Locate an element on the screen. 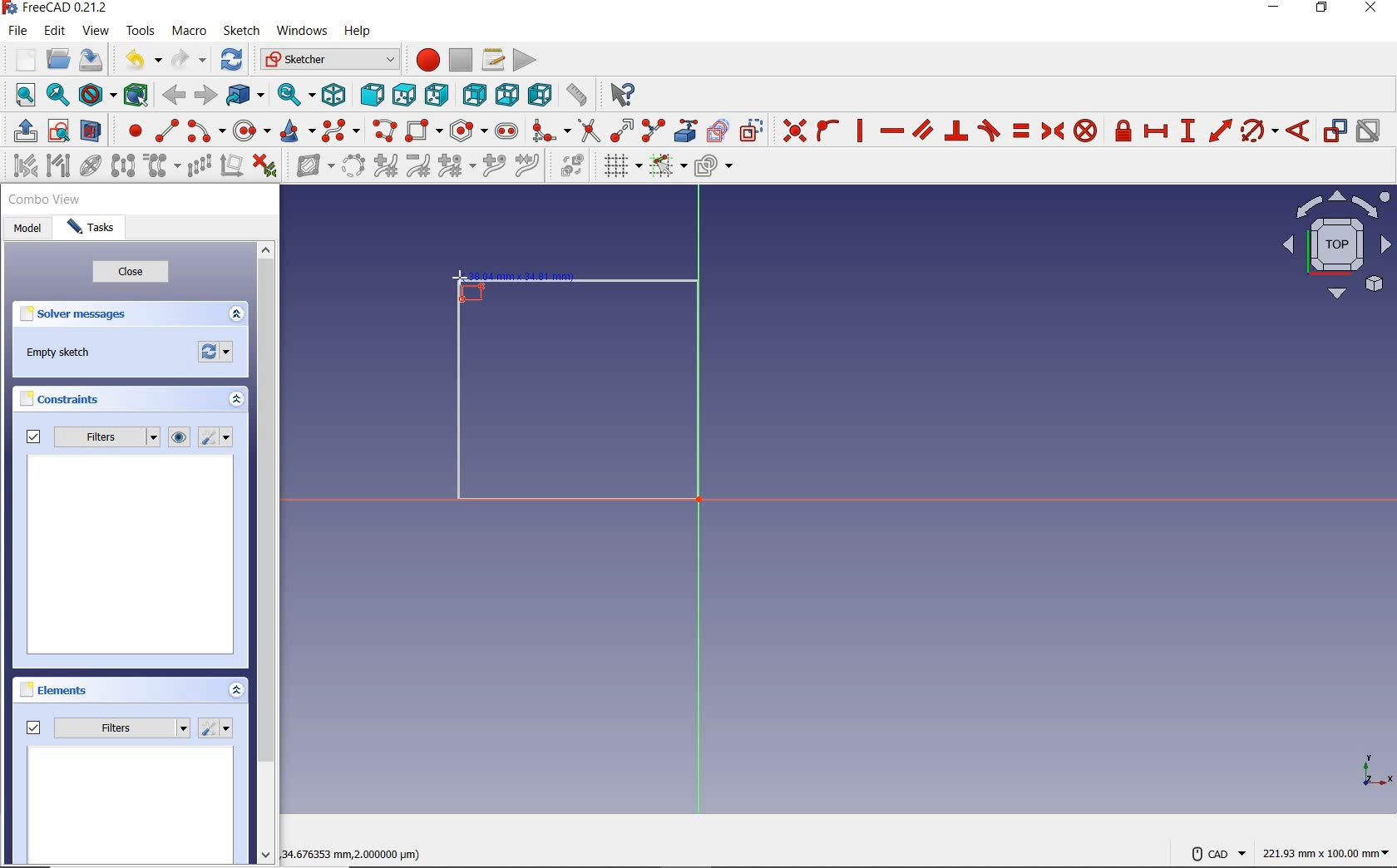  measure distance is located at coordinates (576, 96).